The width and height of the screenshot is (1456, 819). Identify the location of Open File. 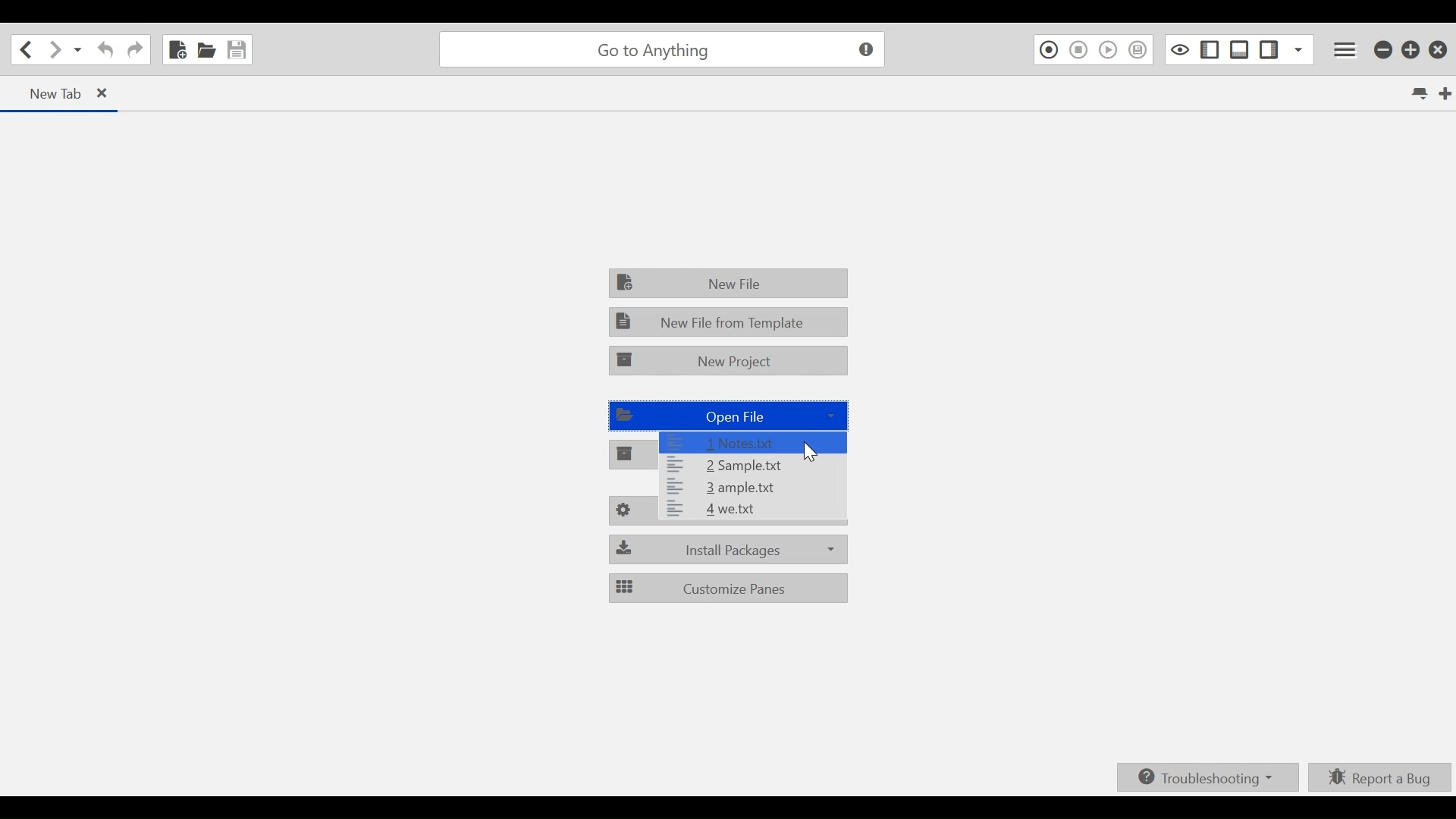
(730, 416).